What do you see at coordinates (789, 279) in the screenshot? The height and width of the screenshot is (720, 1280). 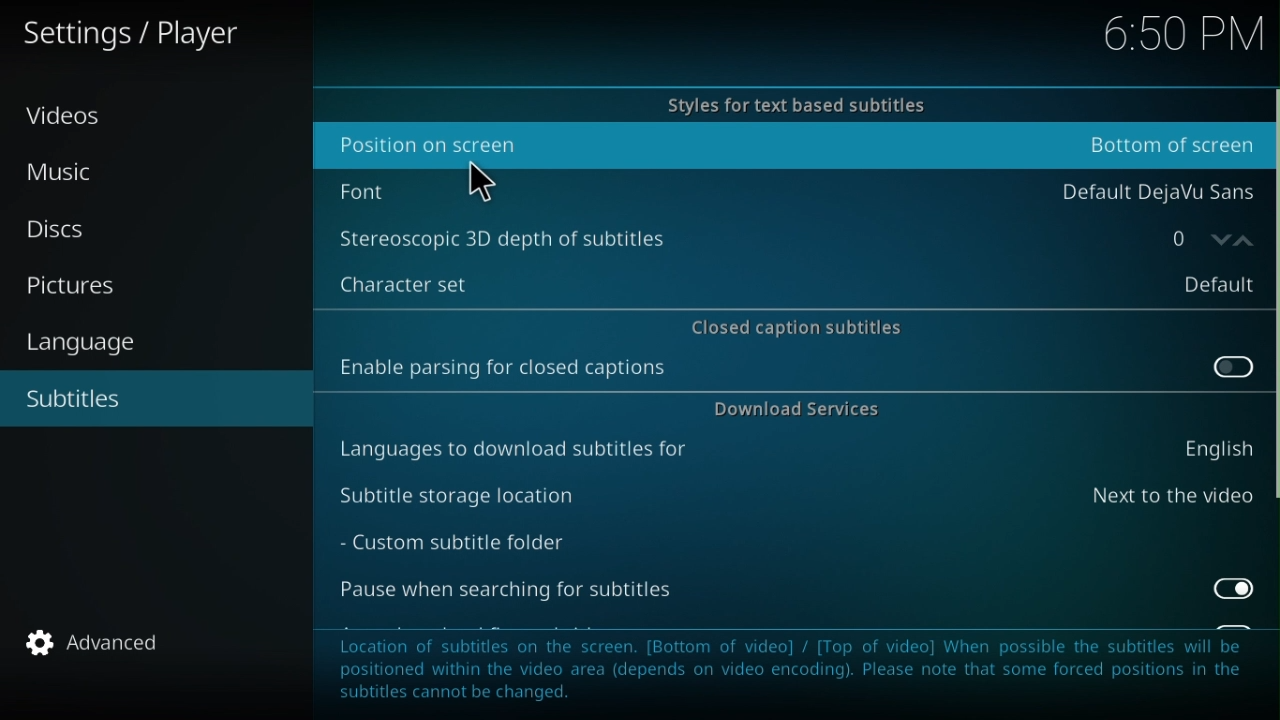 I see `Character set` at bounding box center [789, 279].